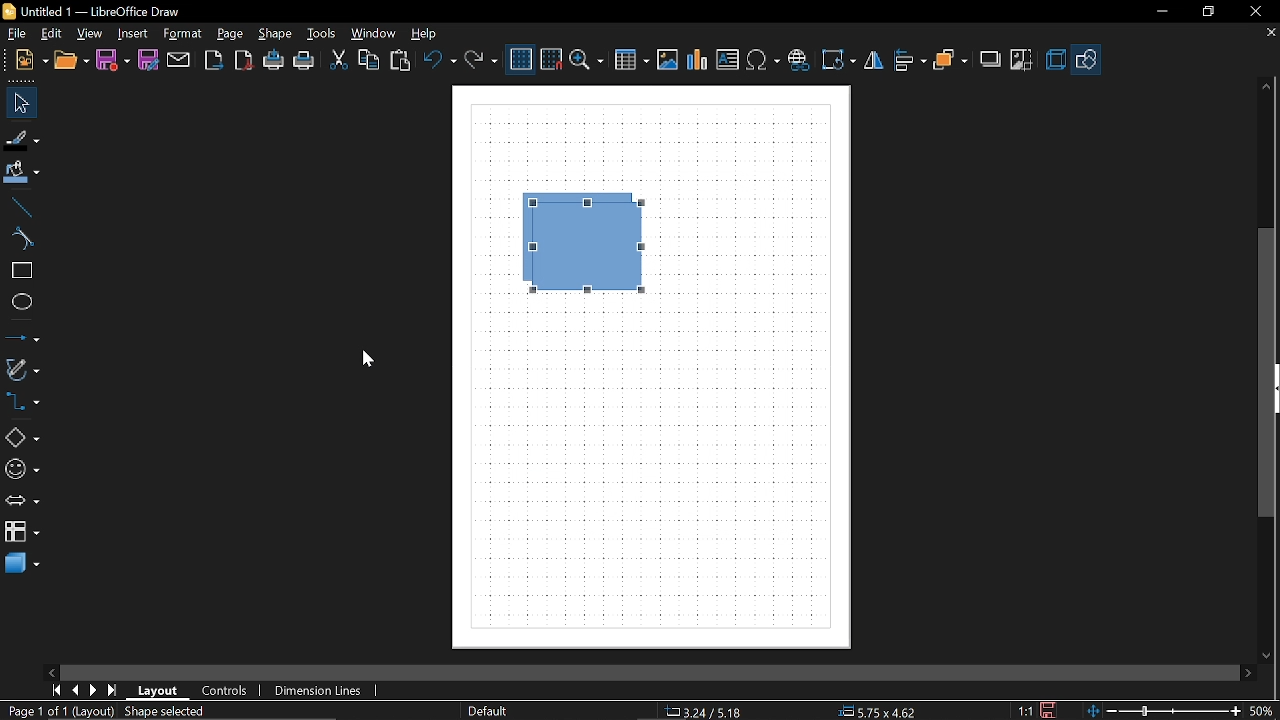  Describe the element at coordinates (22, 369) in the screenshot. I see `Curves and polygon` at that location.